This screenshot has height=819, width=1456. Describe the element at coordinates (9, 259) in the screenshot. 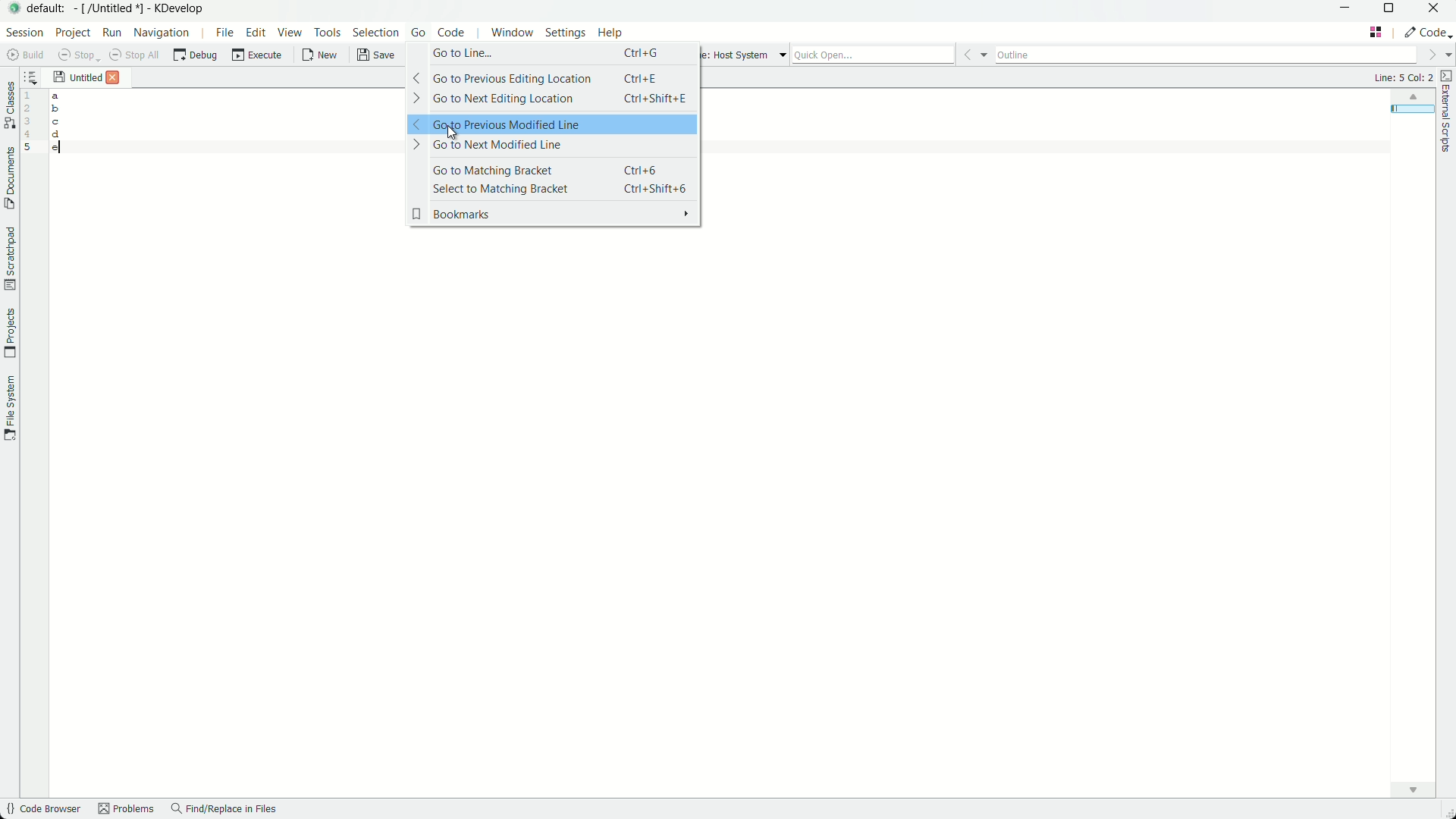

I see `scratchpad` at that location.